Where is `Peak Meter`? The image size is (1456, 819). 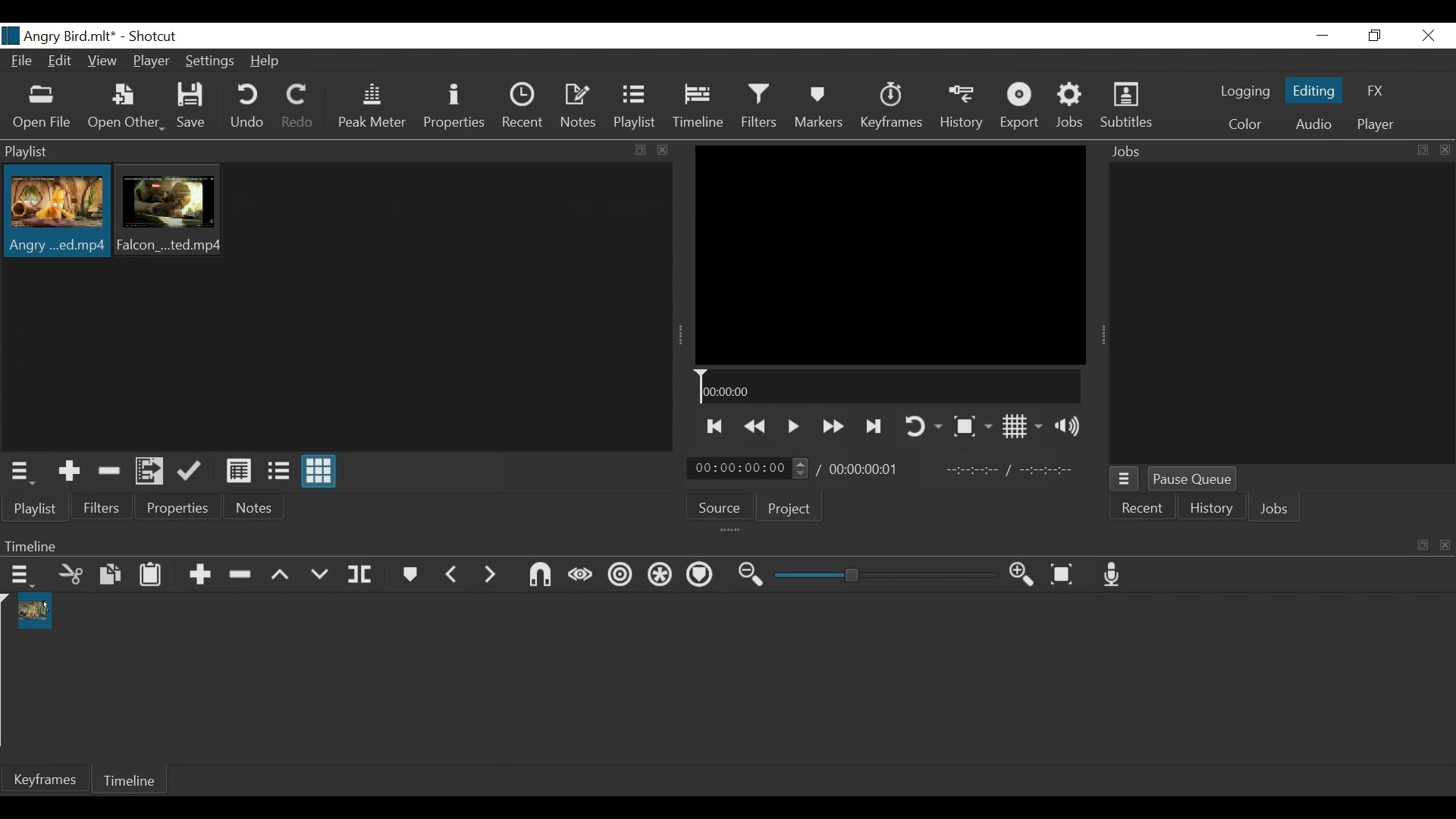
Peak Meter is located at coordinates (370, 110).